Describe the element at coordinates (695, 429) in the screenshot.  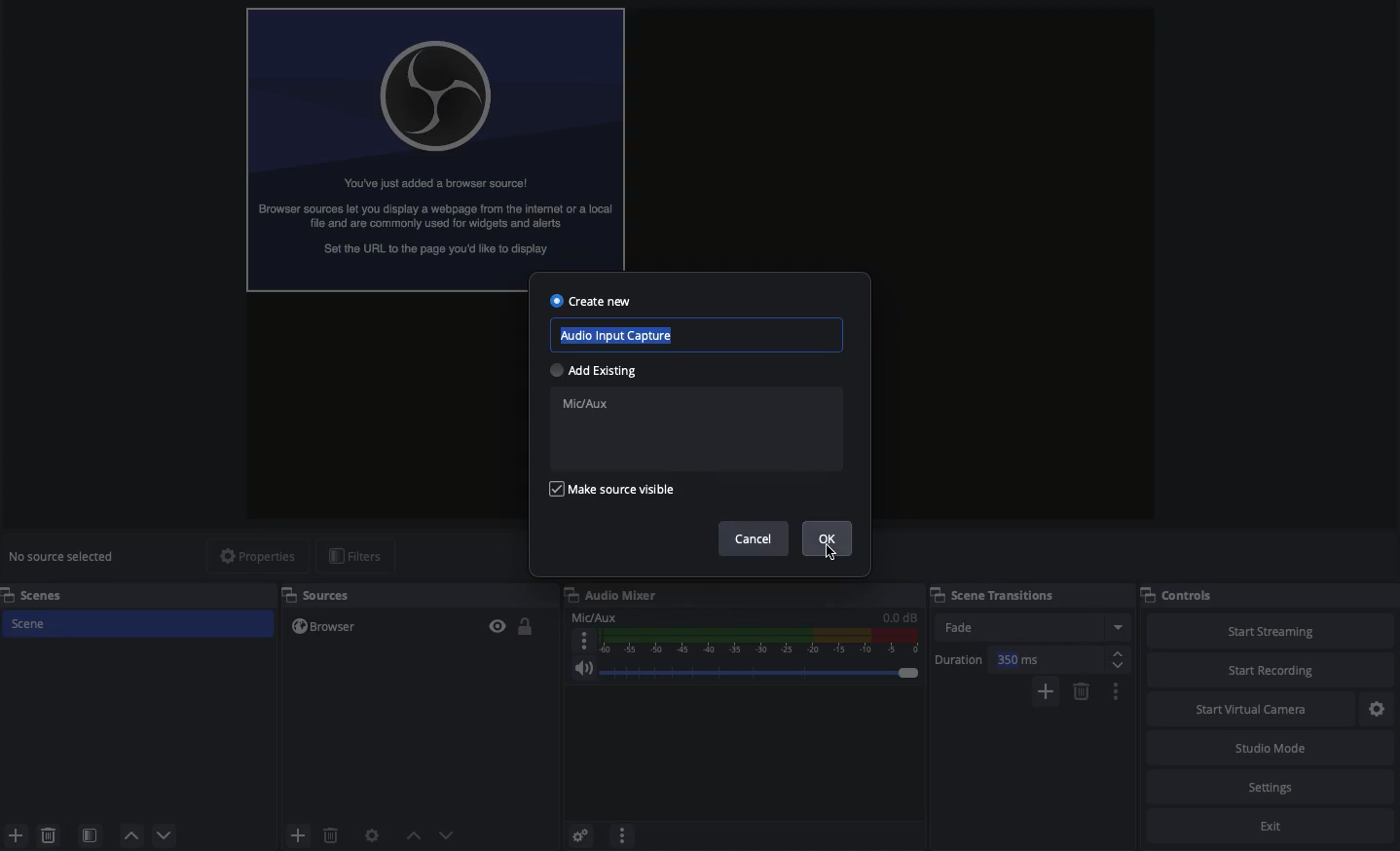
I see `Text` at that location.